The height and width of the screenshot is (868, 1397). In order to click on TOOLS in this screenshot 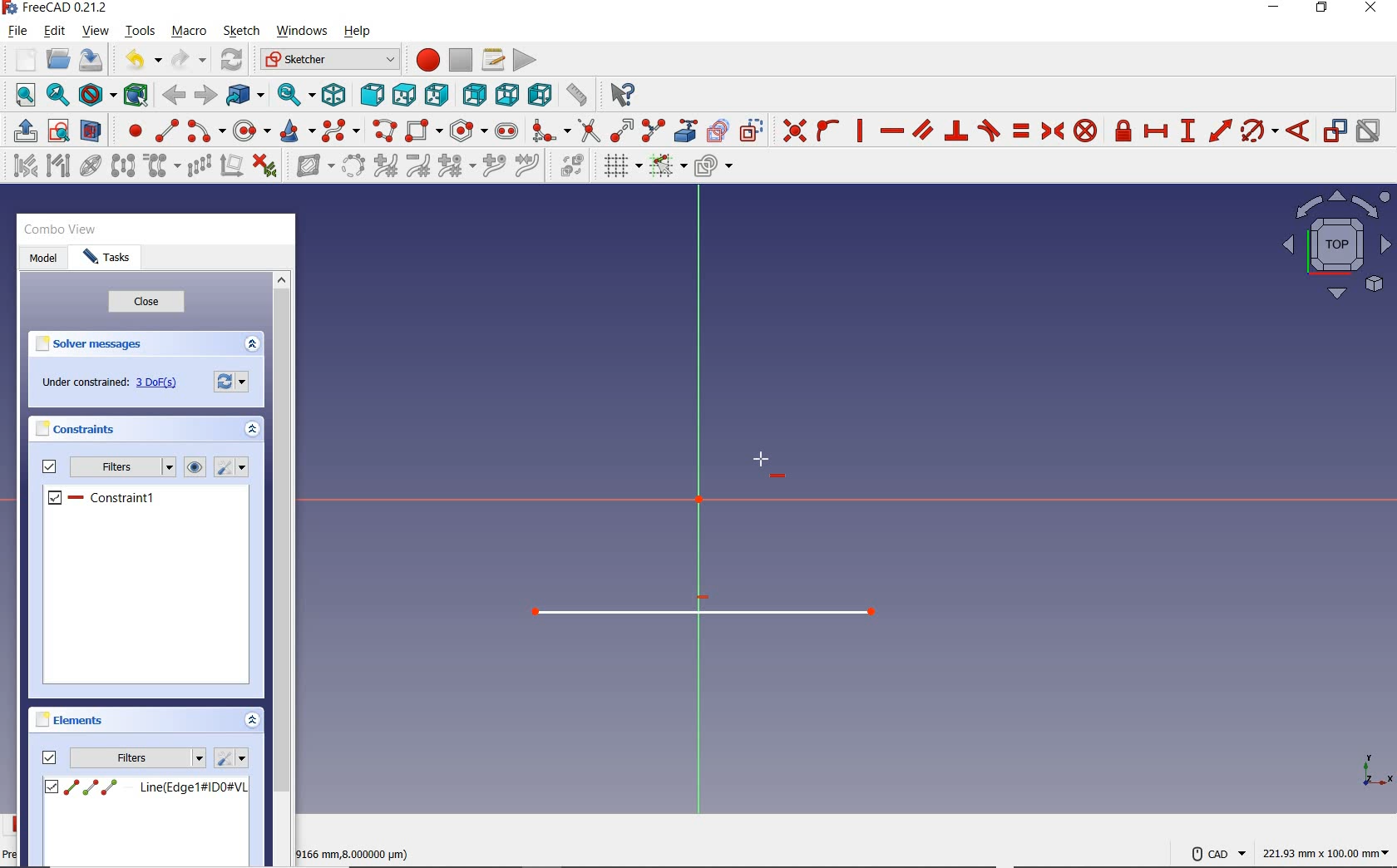, I will do `click(141, 31)`.